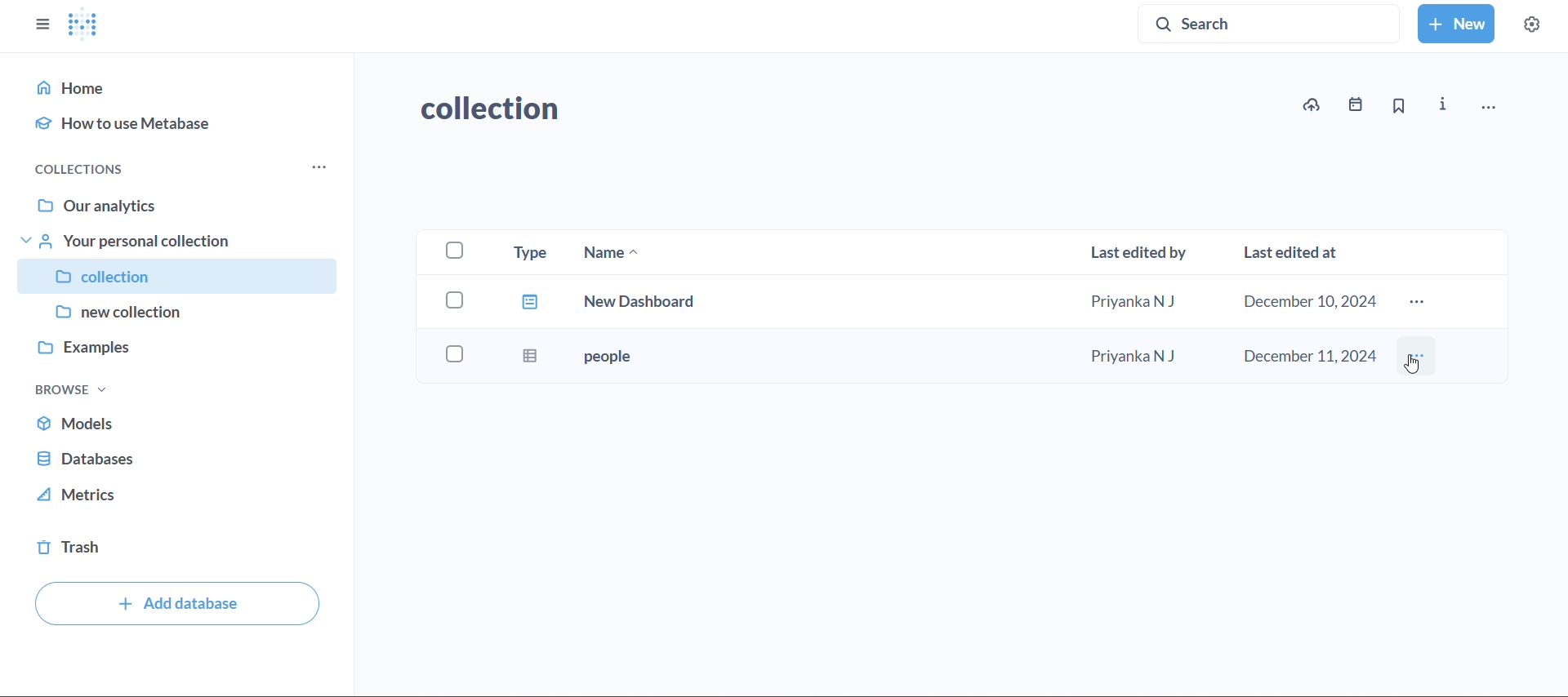 The width and height of the screenshot is (1568, 697). Describe the element at coordinates (1532, 22) in the screenshot. I see `settings` at that location.